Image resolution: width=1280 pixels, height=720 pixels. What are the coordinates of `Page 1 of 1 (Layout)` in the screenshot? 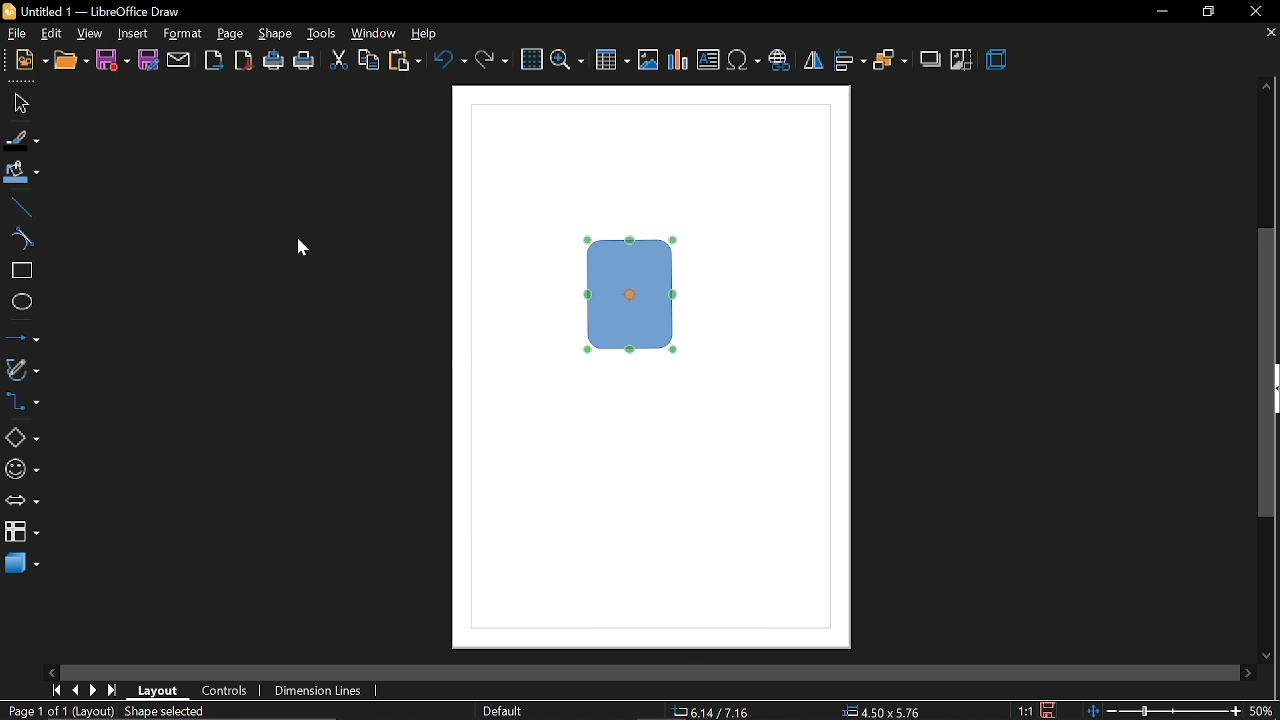 It's located at (66, 712).